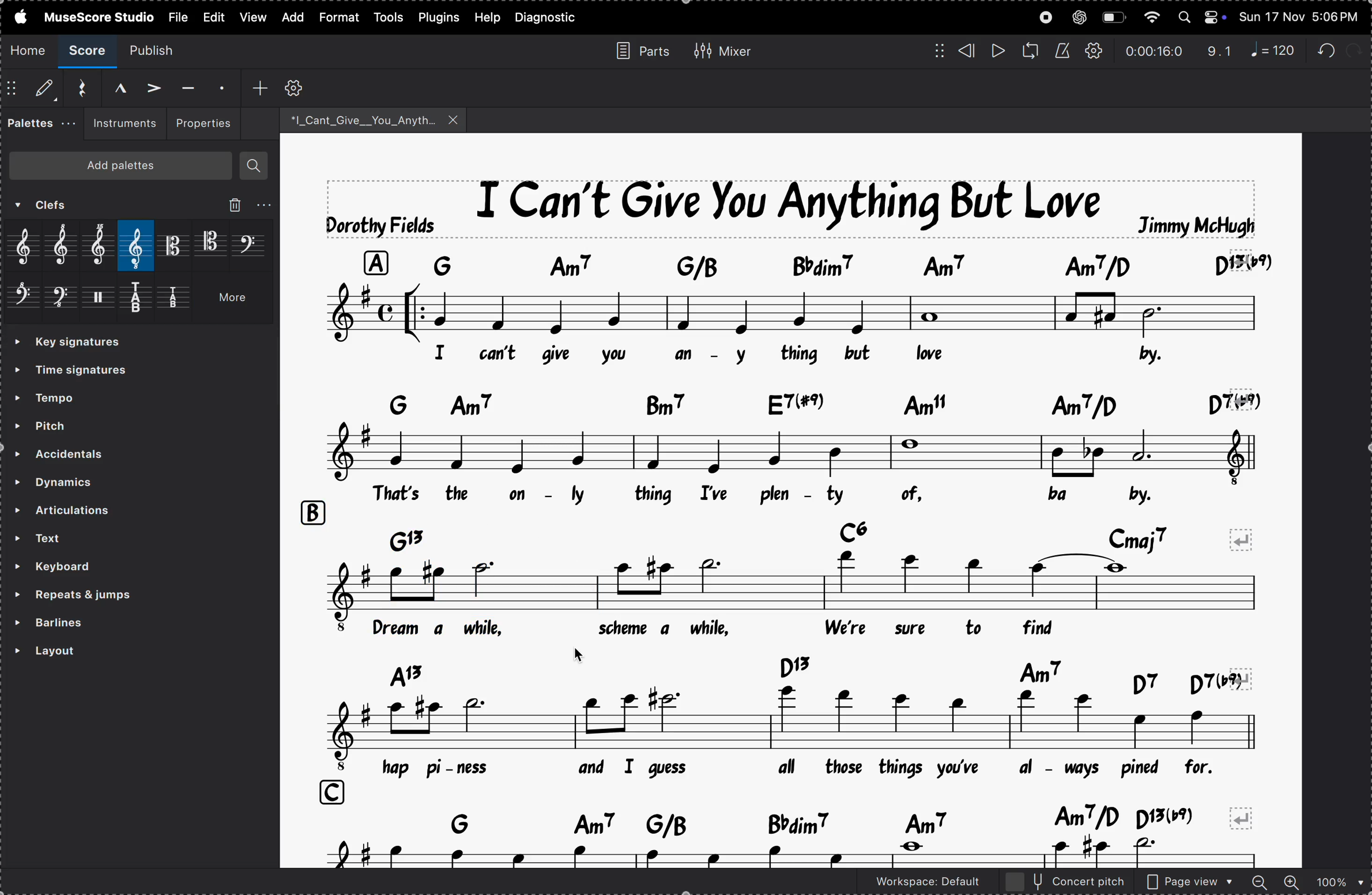 Image resolution: width=1372 pixels, height=895 pixels. Describe the element at coordinates (17, 16) in the screenshot. I see `apple menu` at that location.